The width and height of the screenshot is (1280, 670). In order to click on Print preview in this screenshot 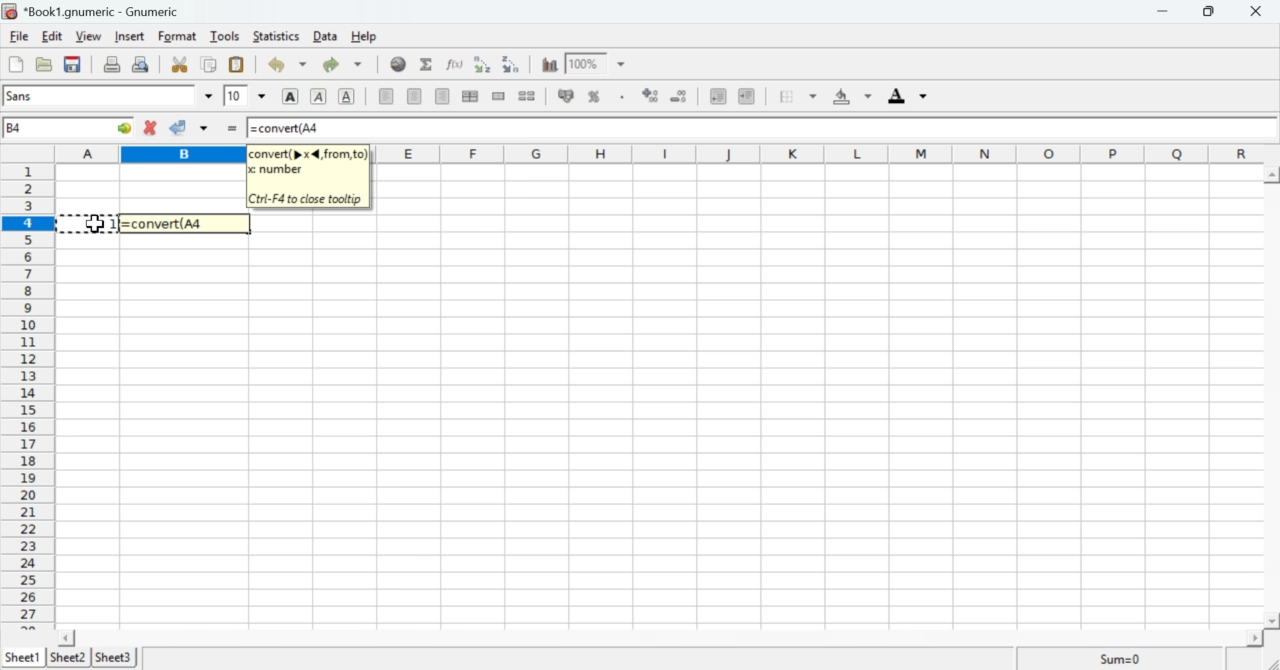, I will do `click(142, 64)`.